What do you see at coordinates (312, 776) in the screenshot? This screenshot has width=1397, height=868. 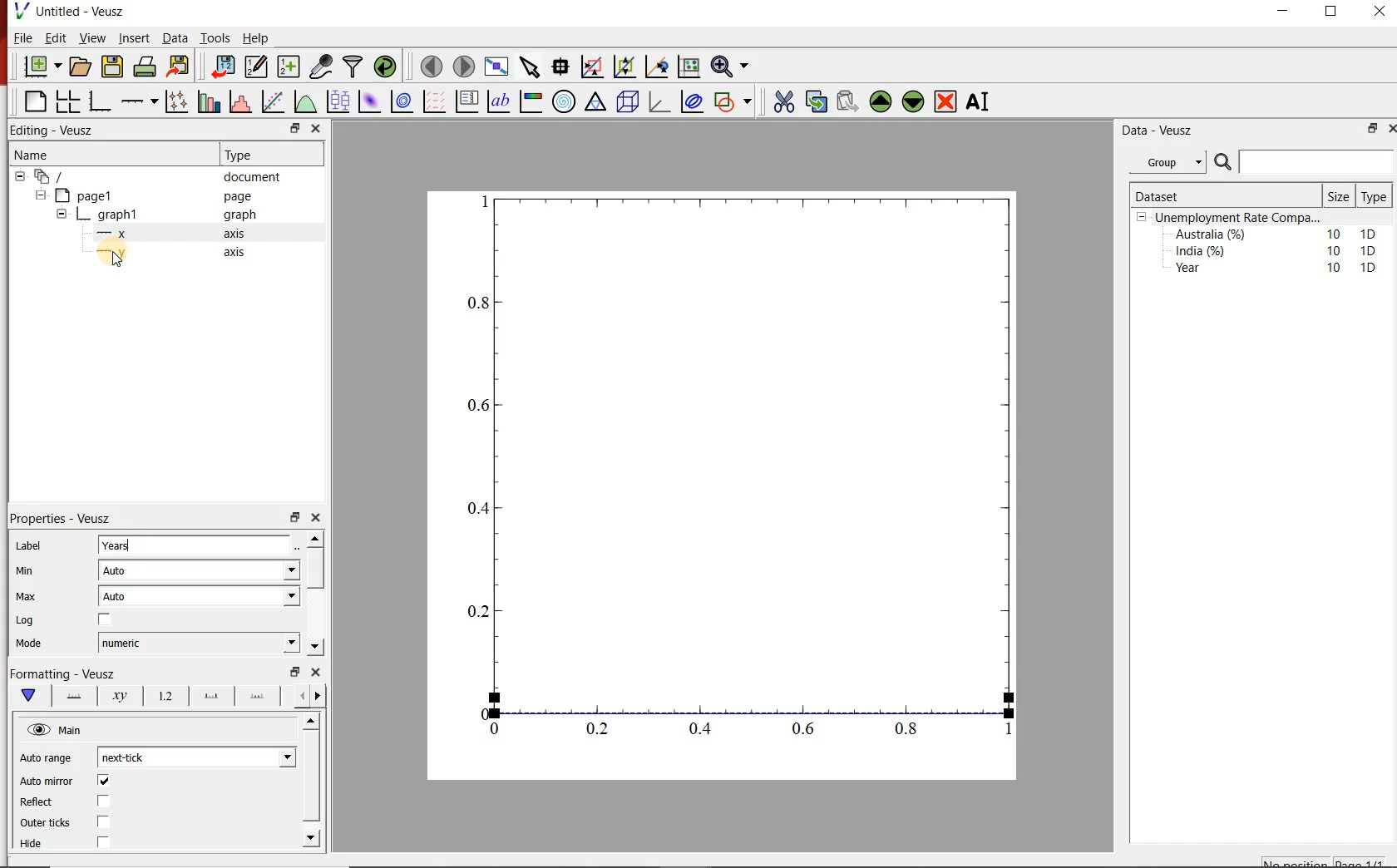 I see `scroll bar` at bounding box center [312, 776].